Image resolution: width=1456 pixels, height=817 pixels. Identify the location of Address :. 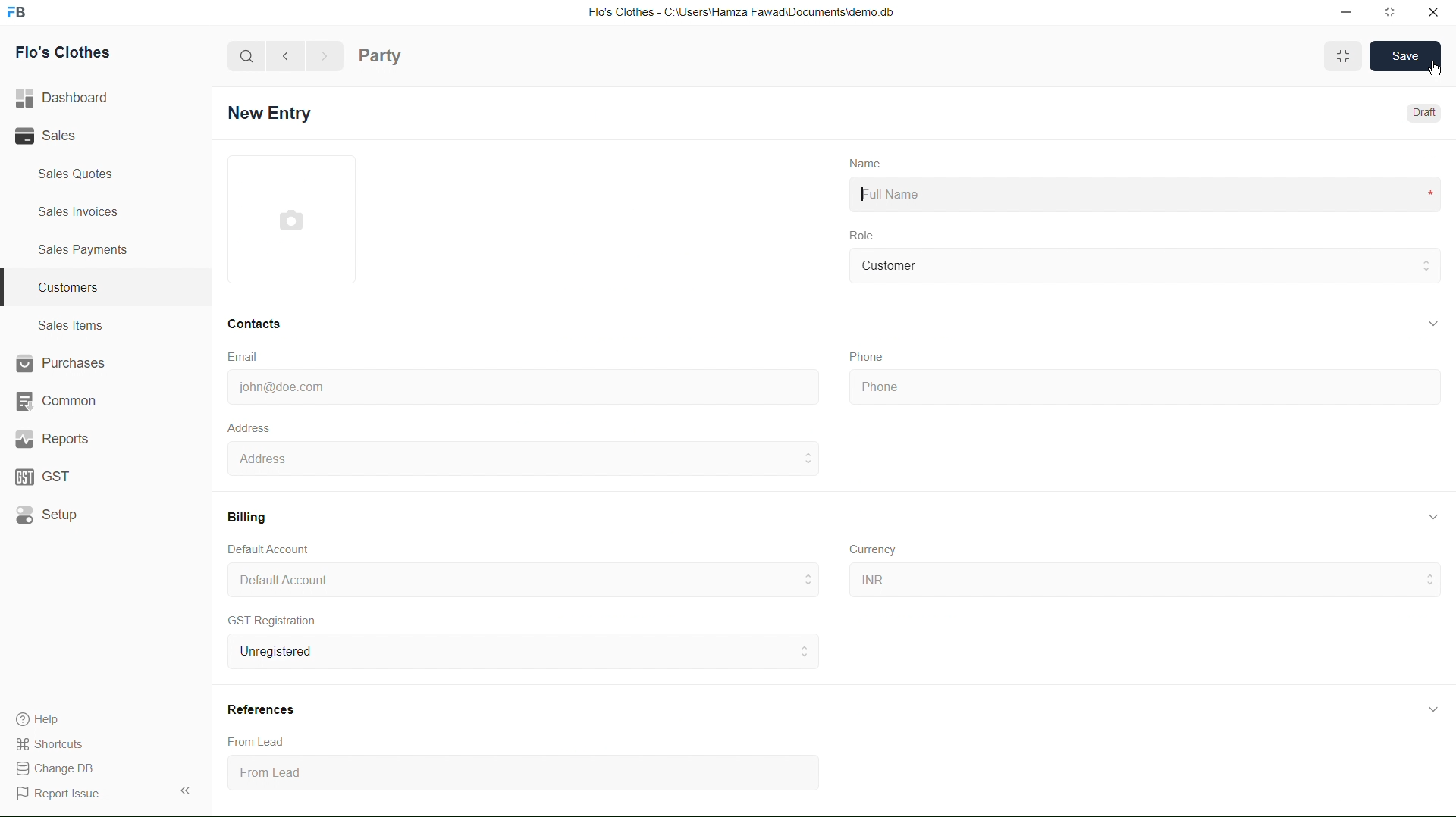
(519, 458).